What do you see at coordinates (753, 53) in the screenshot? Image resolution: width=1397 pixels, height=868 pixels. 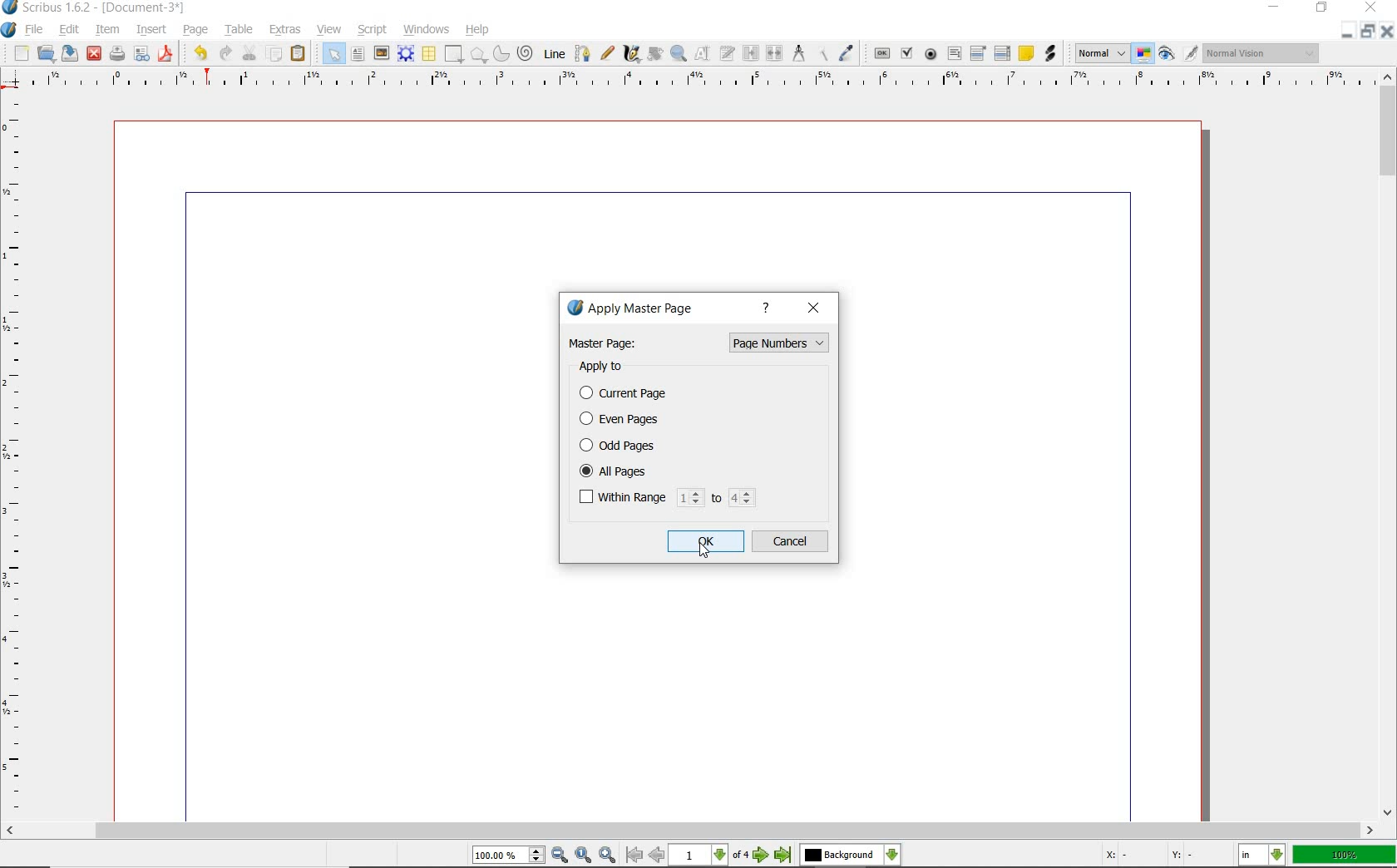 I see `link text frames` at bounding box center [753, 53].